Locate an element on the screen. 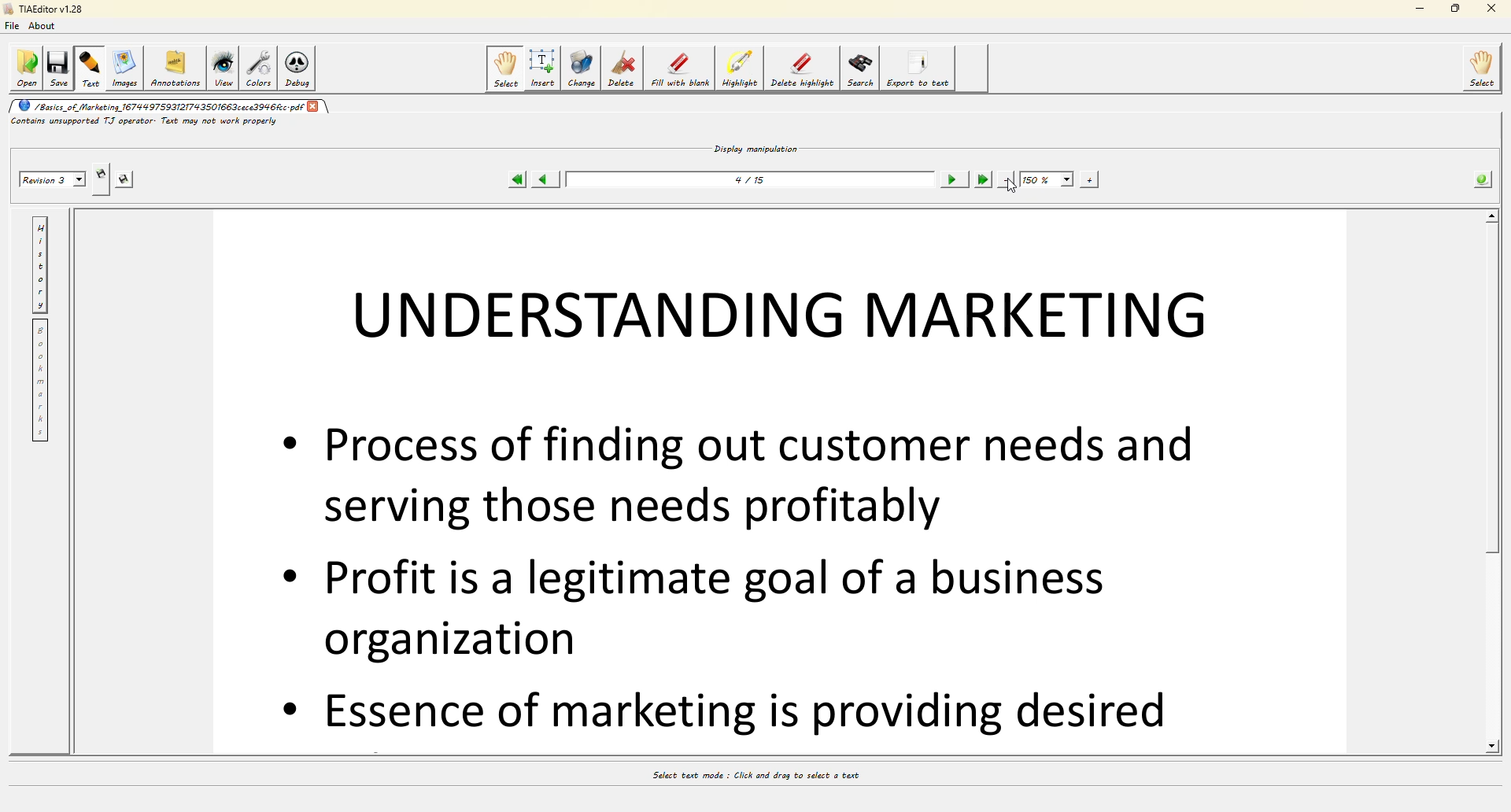 This screenshot has width=1511, height=812. scroll up is located at coordinates (1494, 216).